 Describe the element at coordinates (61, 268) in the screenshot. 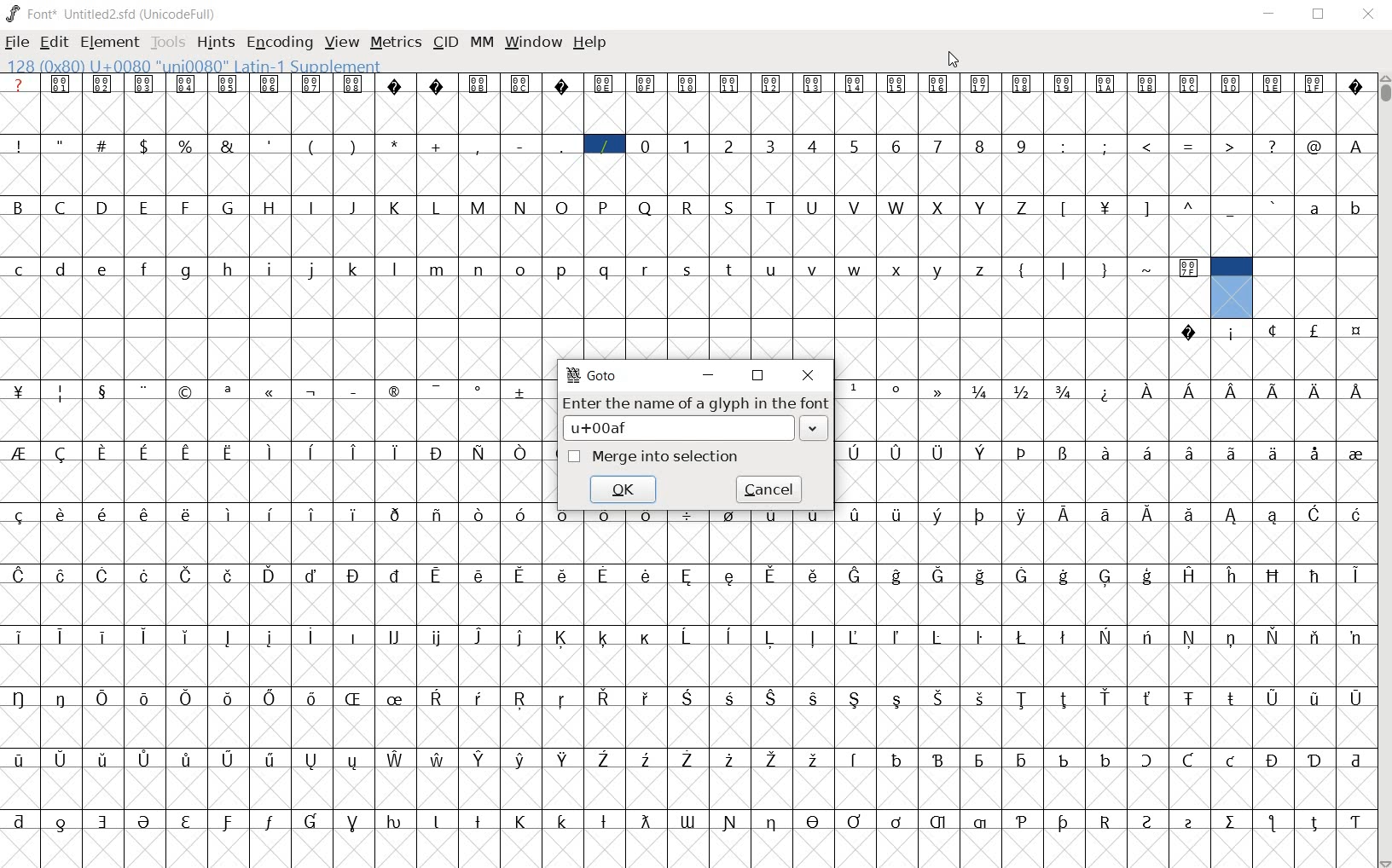

I see `d` at that location.